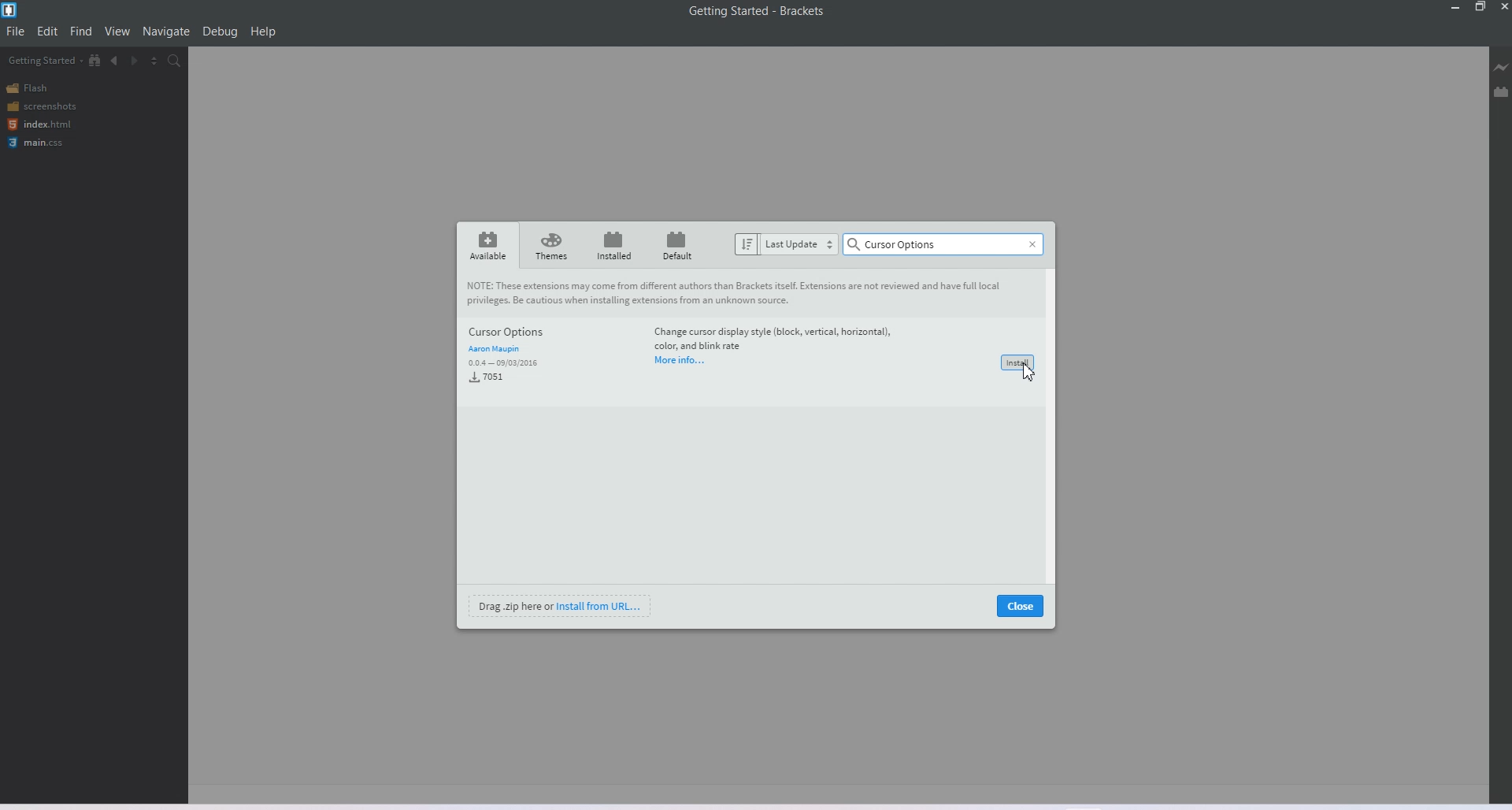 The width and height of the screenshot is (1512, 810). Describe the element at coordinates (95, 59) in the screenshot. I see `Show file in Tree` at that location.